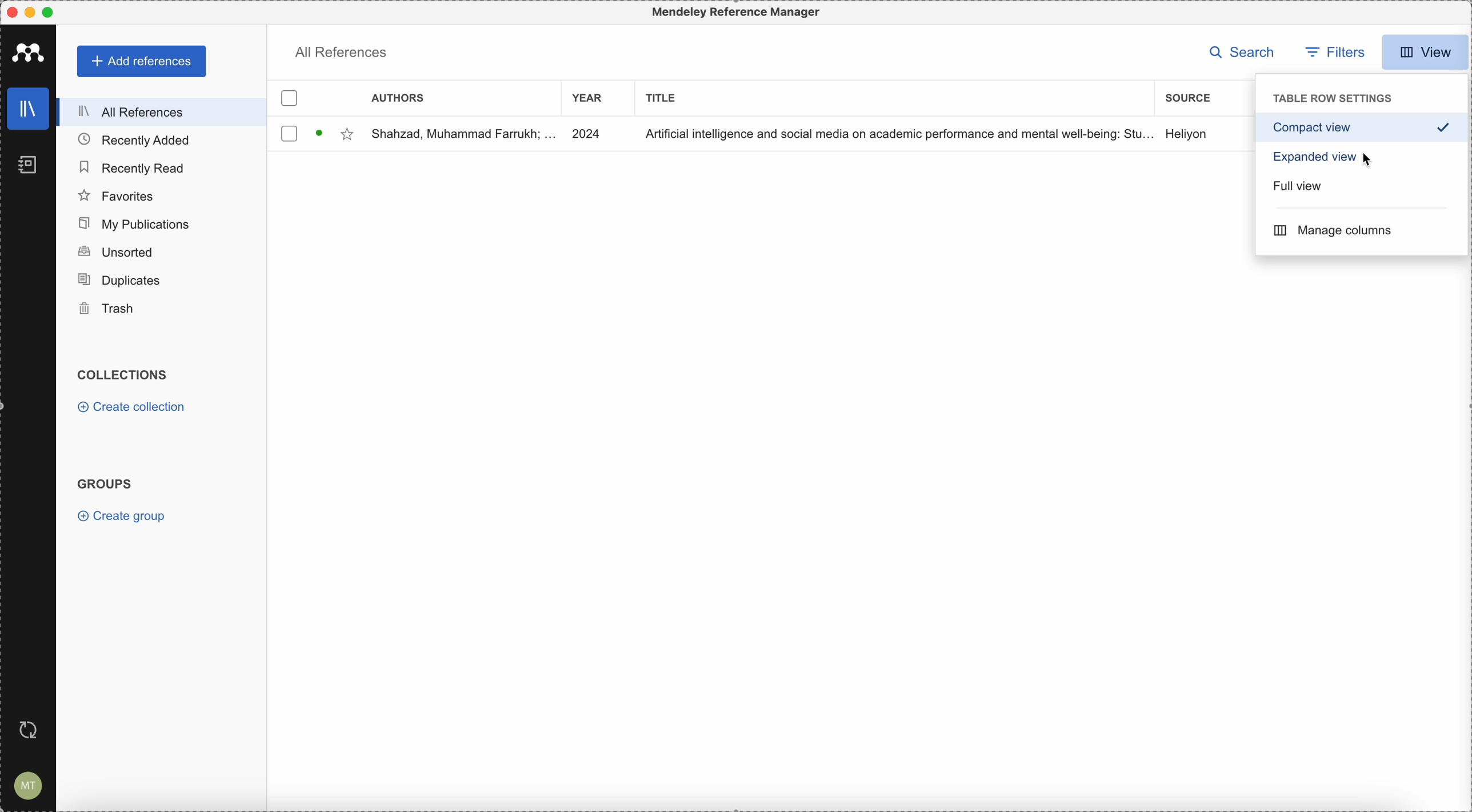 The width and height of the screenshot is (1472, 812). I want to click on create group, so click(122, 517).